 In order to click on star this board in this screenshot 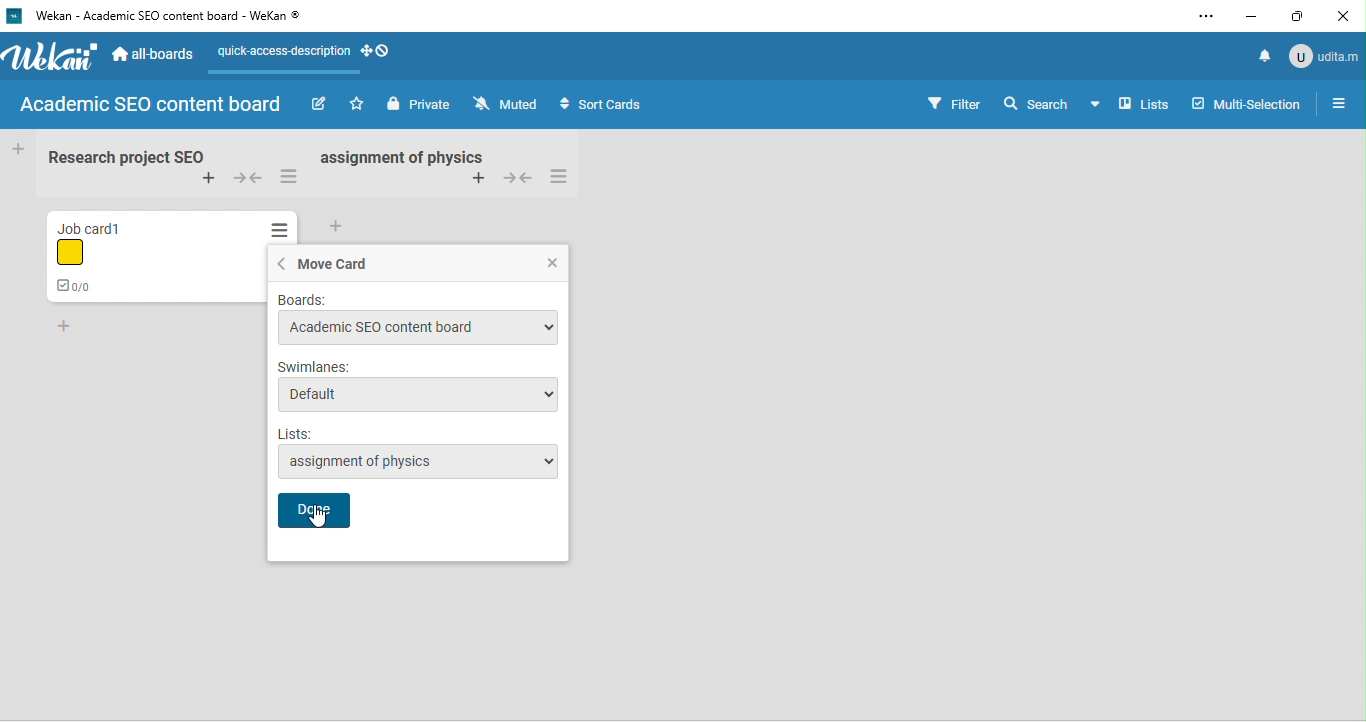, I will do `click(359, 105)`.